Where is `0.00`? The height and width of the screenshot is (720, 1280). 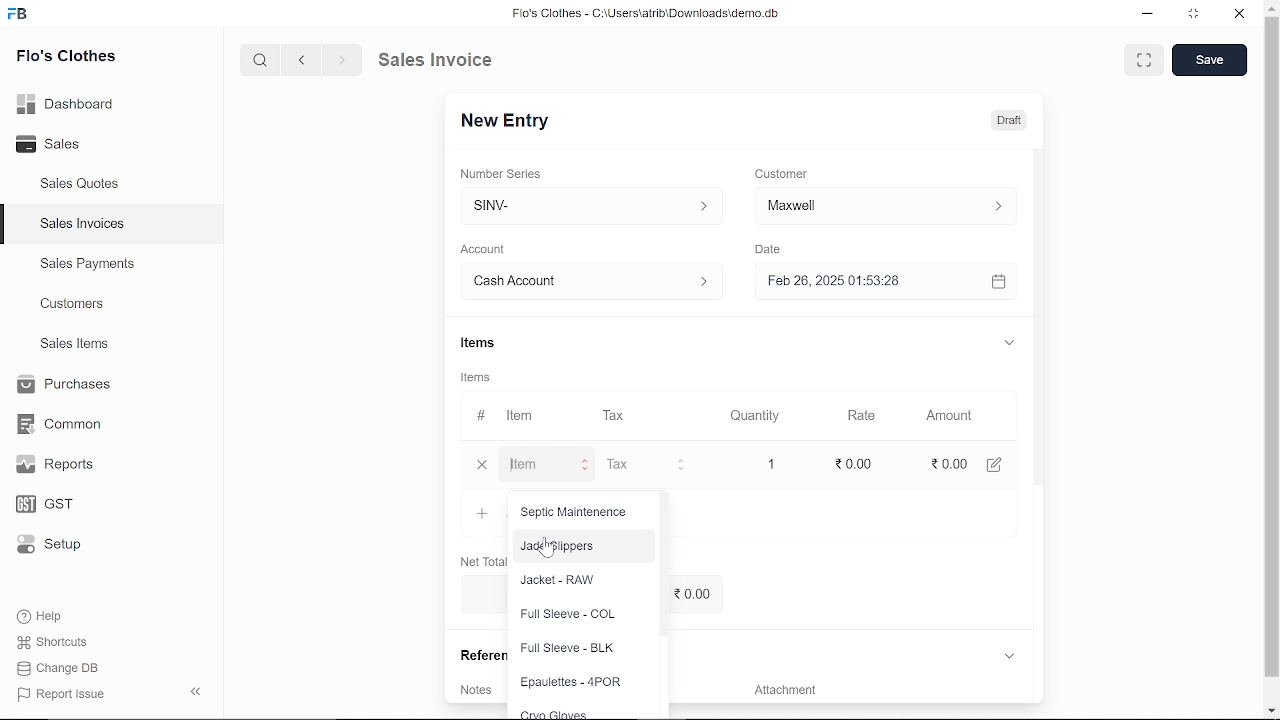
0.00 is located at coordinates (951, 463).